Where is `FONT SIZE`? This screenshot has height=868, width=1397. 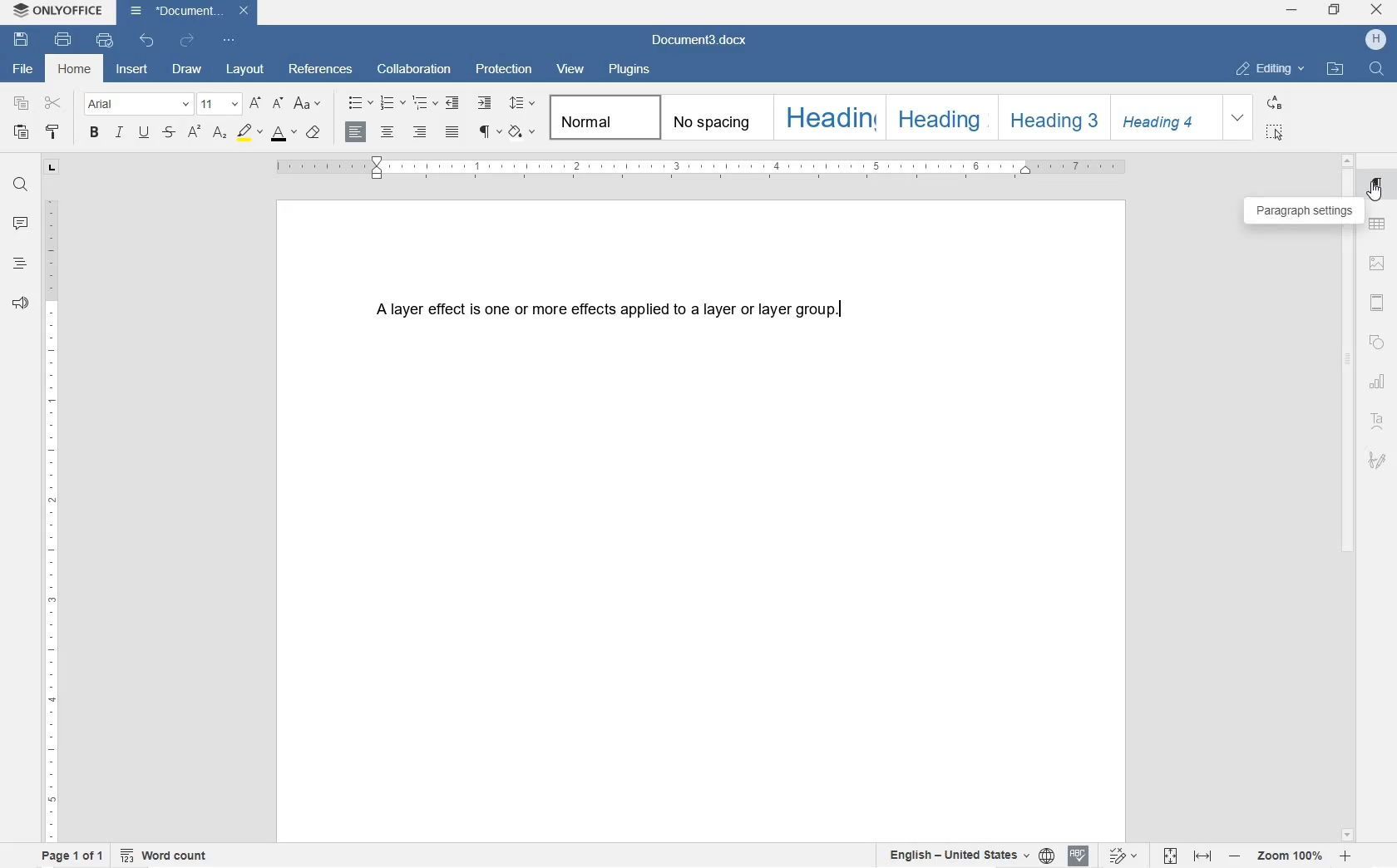
FONT SIZE is located at coordinates (218, 106).